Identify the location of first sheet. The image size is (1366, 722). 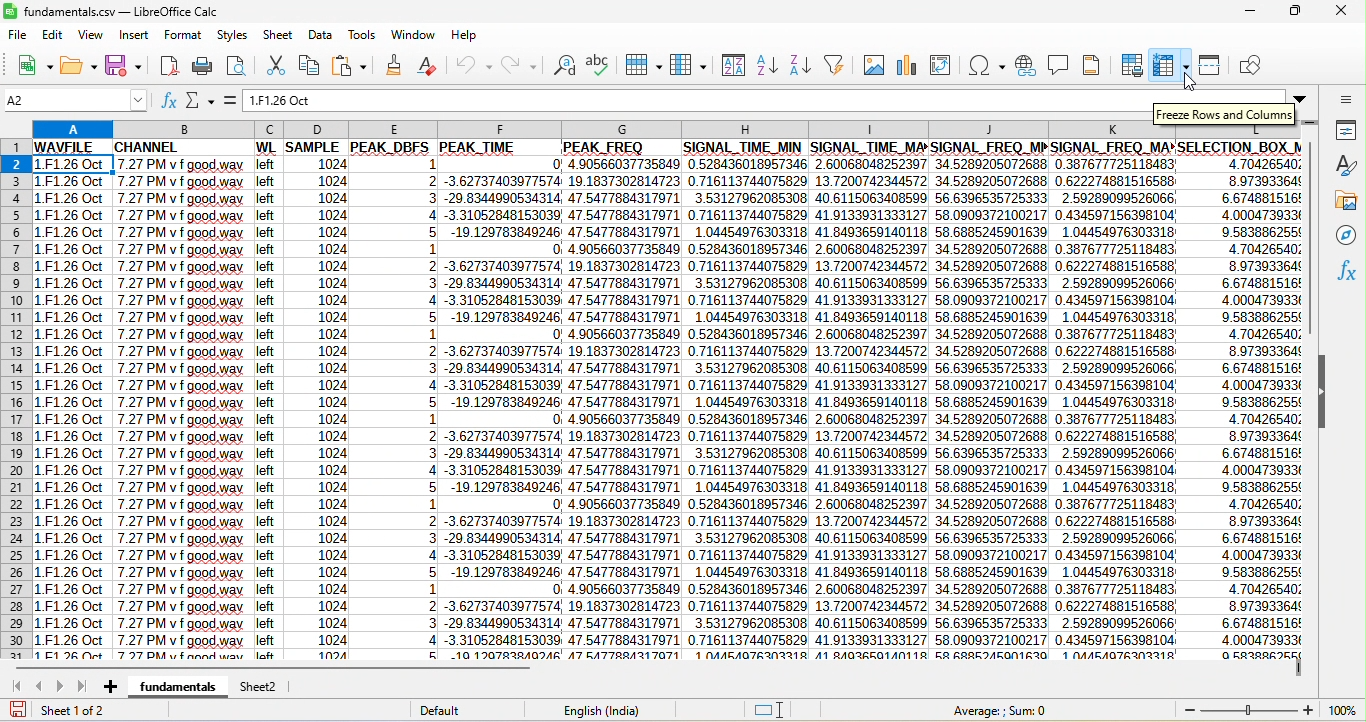
(18, 686).